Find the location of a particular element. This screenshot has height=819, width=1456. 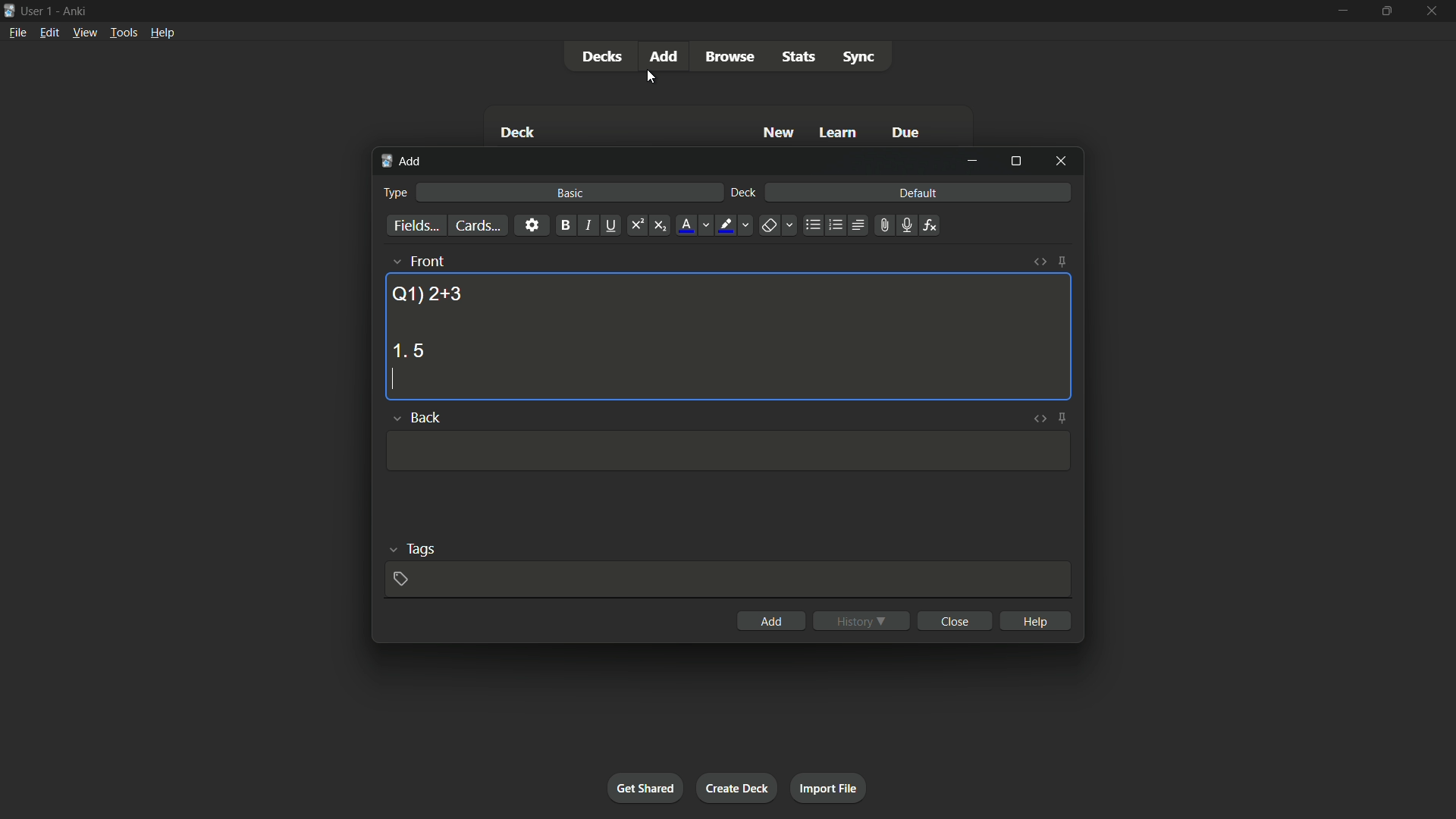

cursor is located at coordinates (392, 381).